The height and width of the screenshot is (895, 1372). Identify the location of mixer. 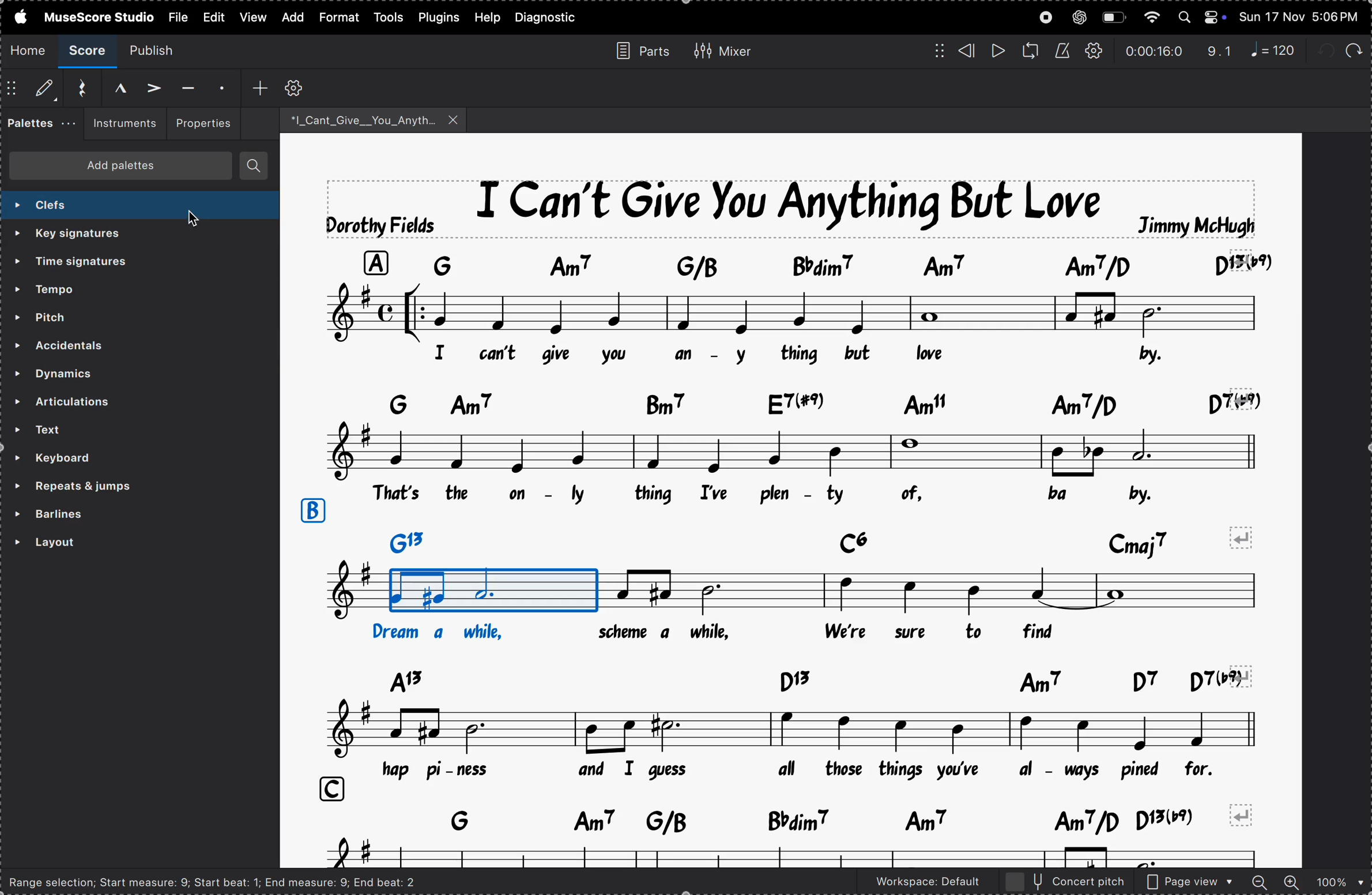
(722, 49).